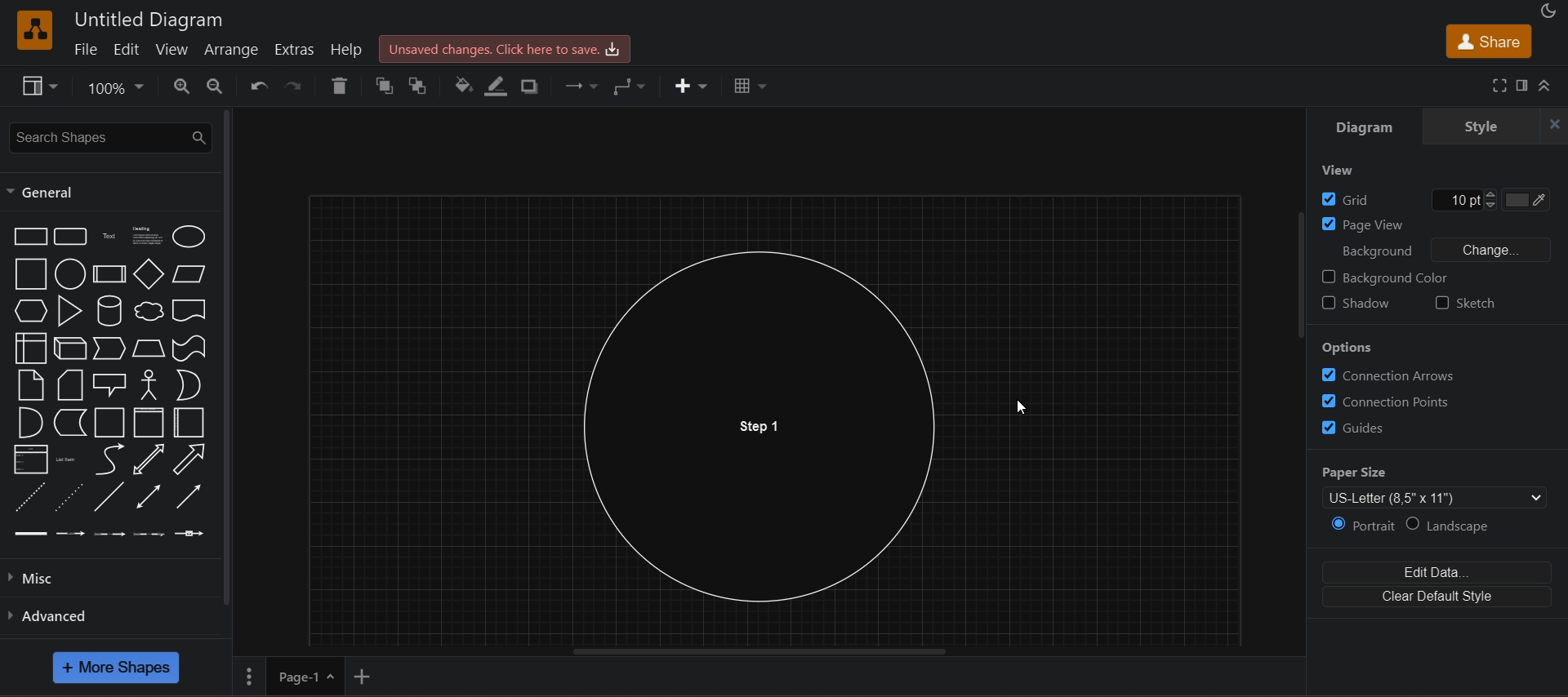  What do you see at coordinates (1347, 199) in the screenshot?
I see `Grid` at bounding box center [1347, 199].